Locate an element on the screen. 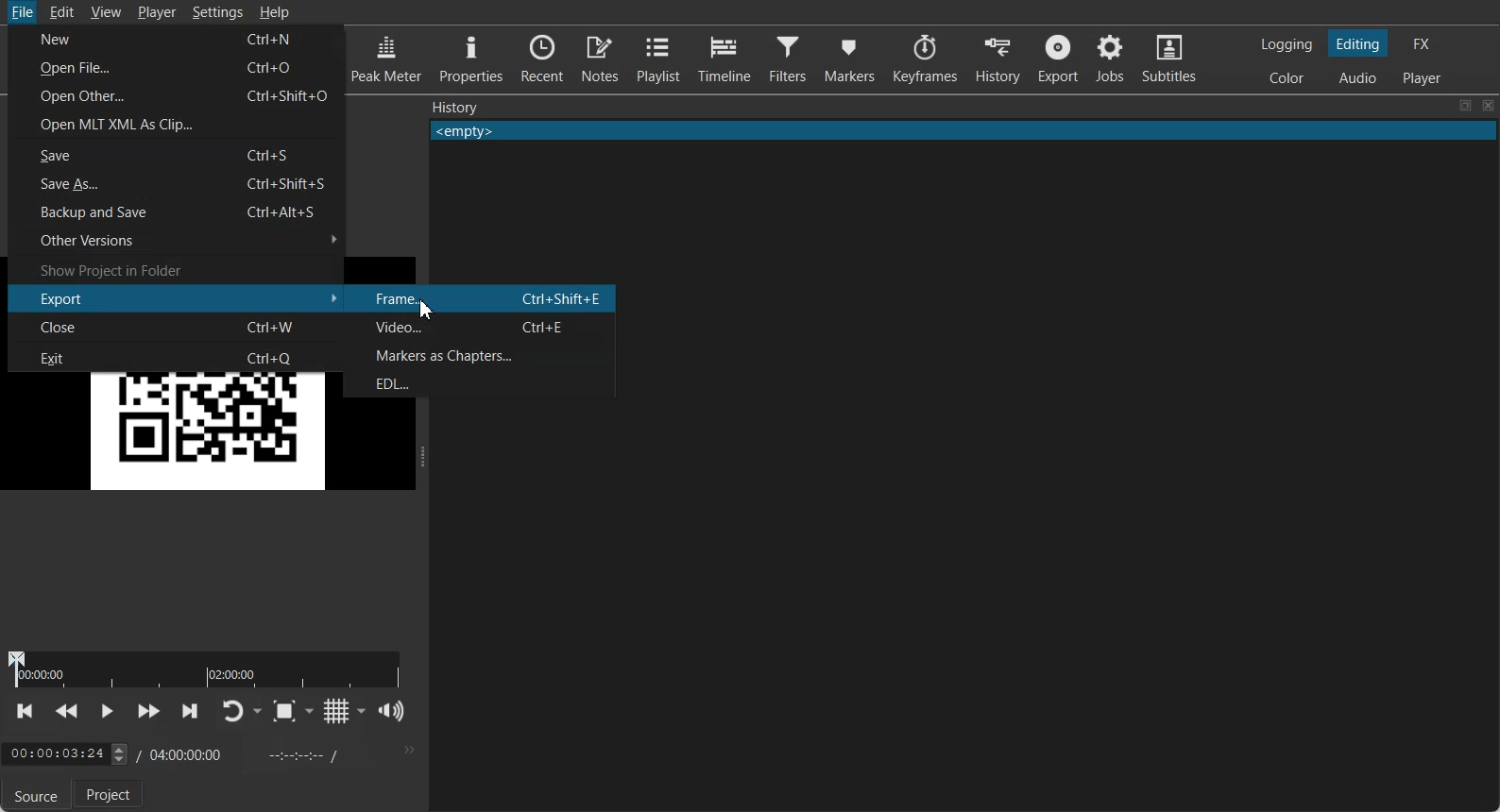 The height and width of the screenshot is (812, 1500). Switching to Player Only Layout is located at coordinates (1424, 77).